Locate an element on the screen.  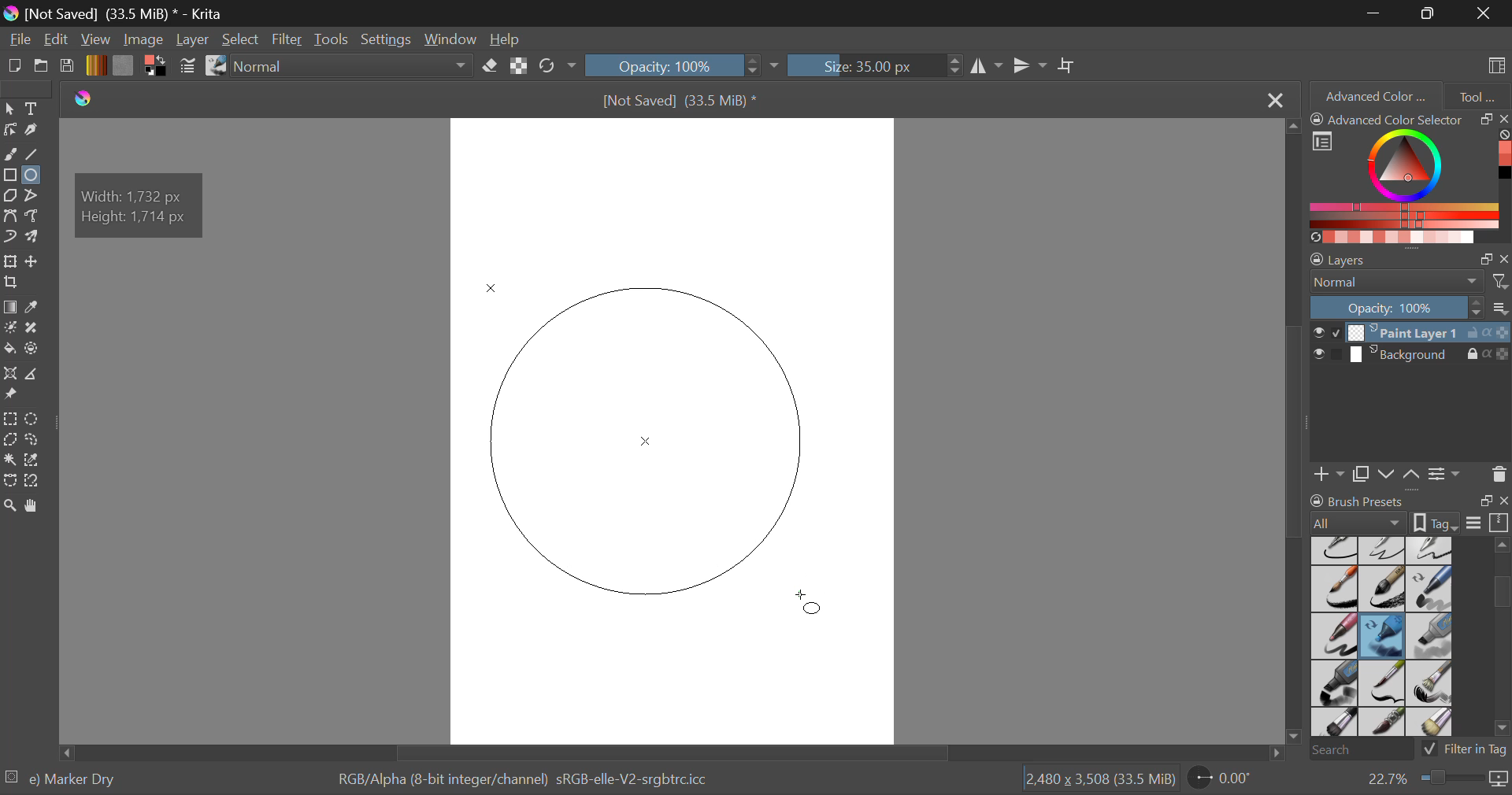
Gradient is located at coordinates (95, 65).